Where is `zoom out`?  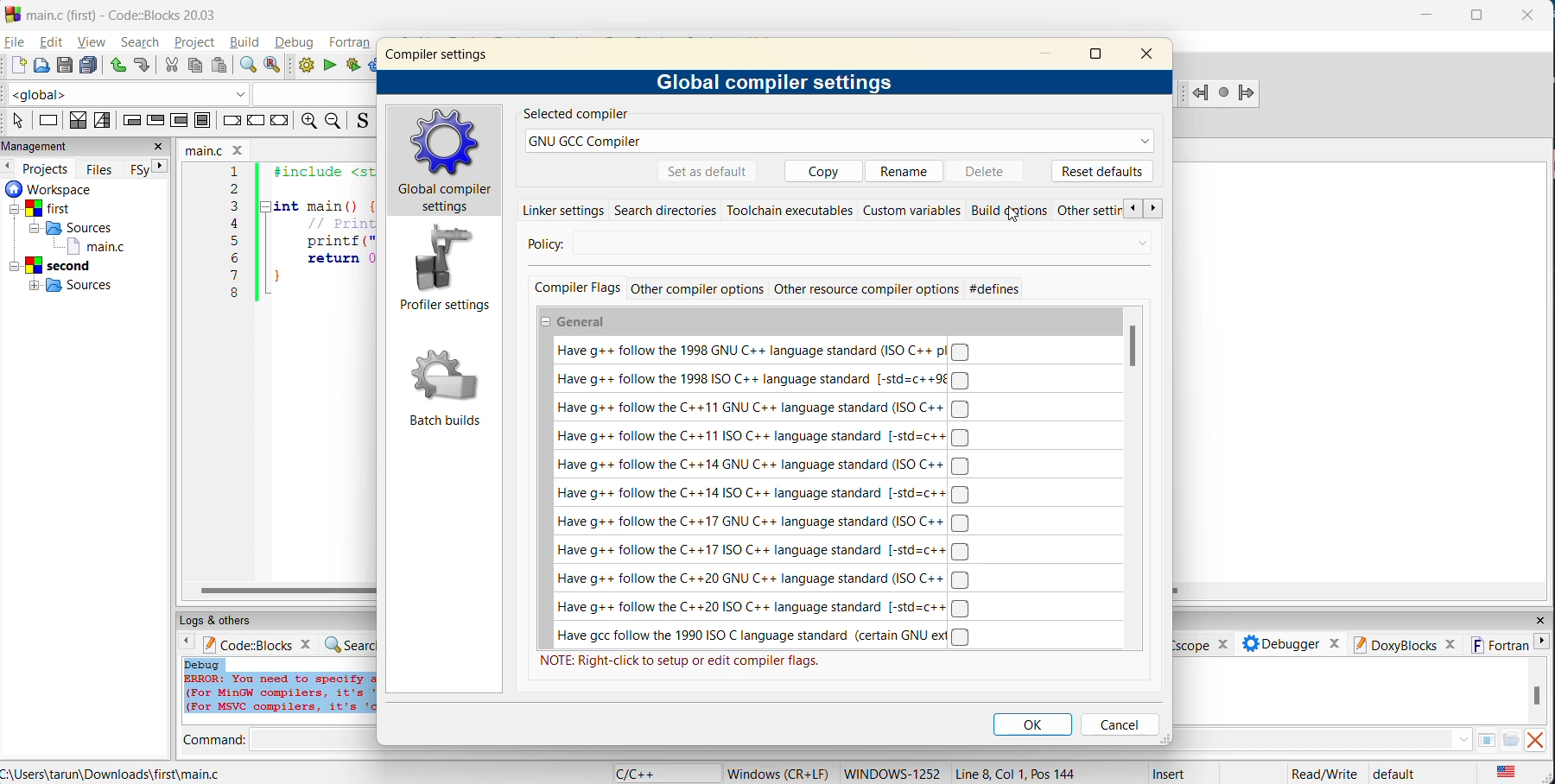
zoom out is located at coordinates (333, 121).